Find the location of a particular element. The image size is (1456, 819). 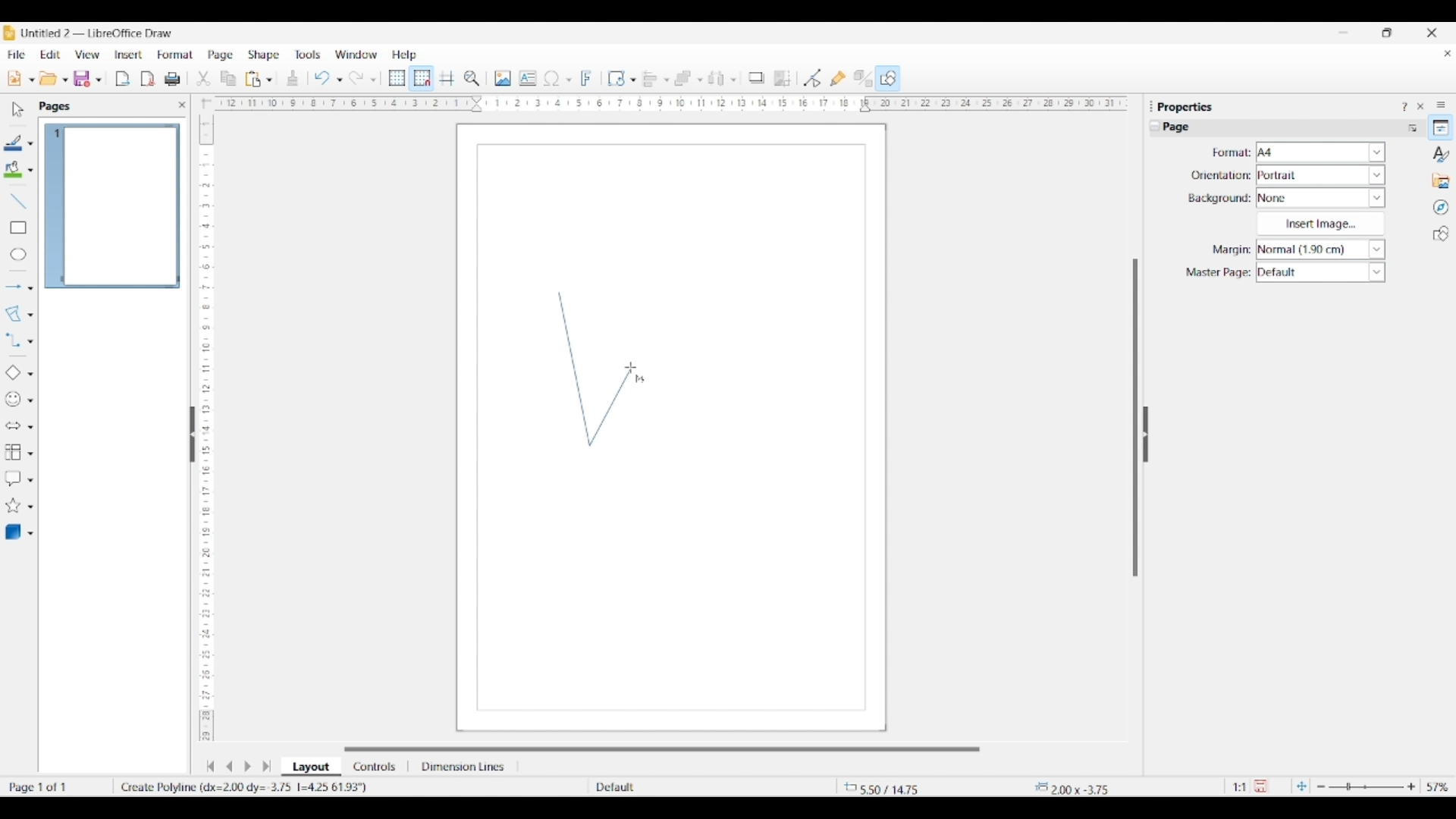

Open document options is located at coordinates (64, 80).